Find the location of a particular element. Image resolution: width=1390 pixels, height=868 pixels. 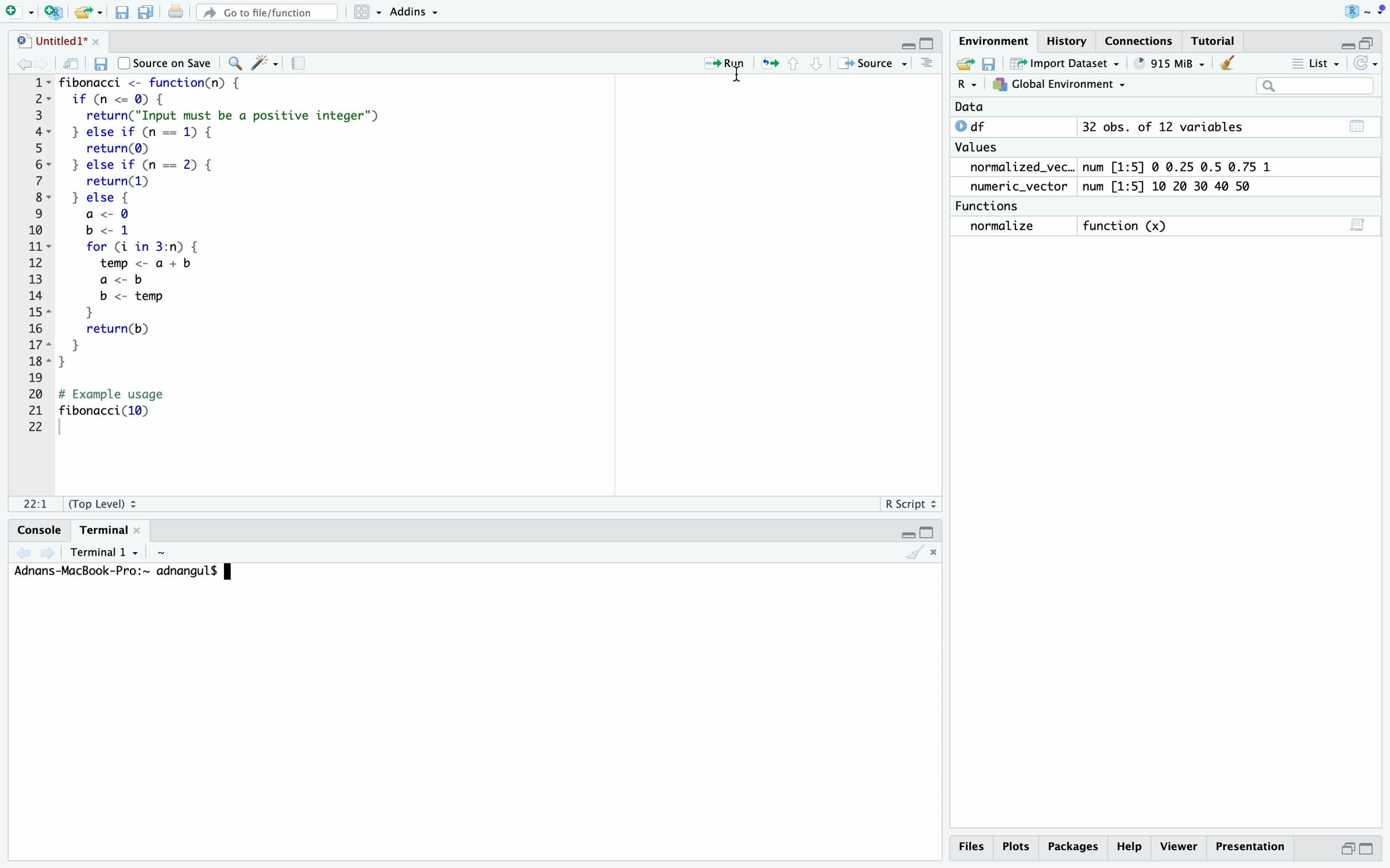

presentation is located at coordinates (1249, 847).